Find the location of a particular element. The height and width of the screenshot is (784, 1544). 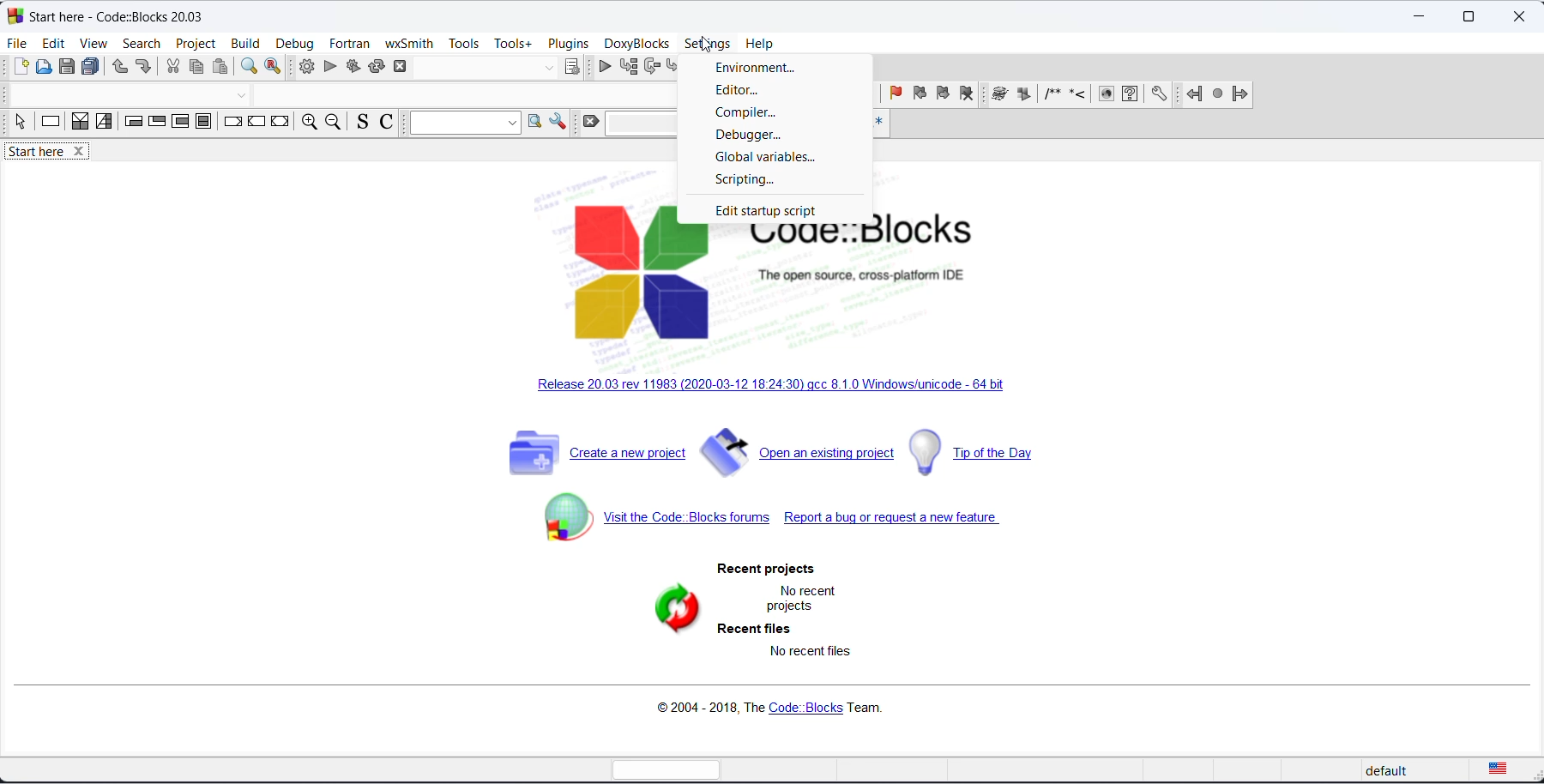

project is located at coordinates (196, 44).